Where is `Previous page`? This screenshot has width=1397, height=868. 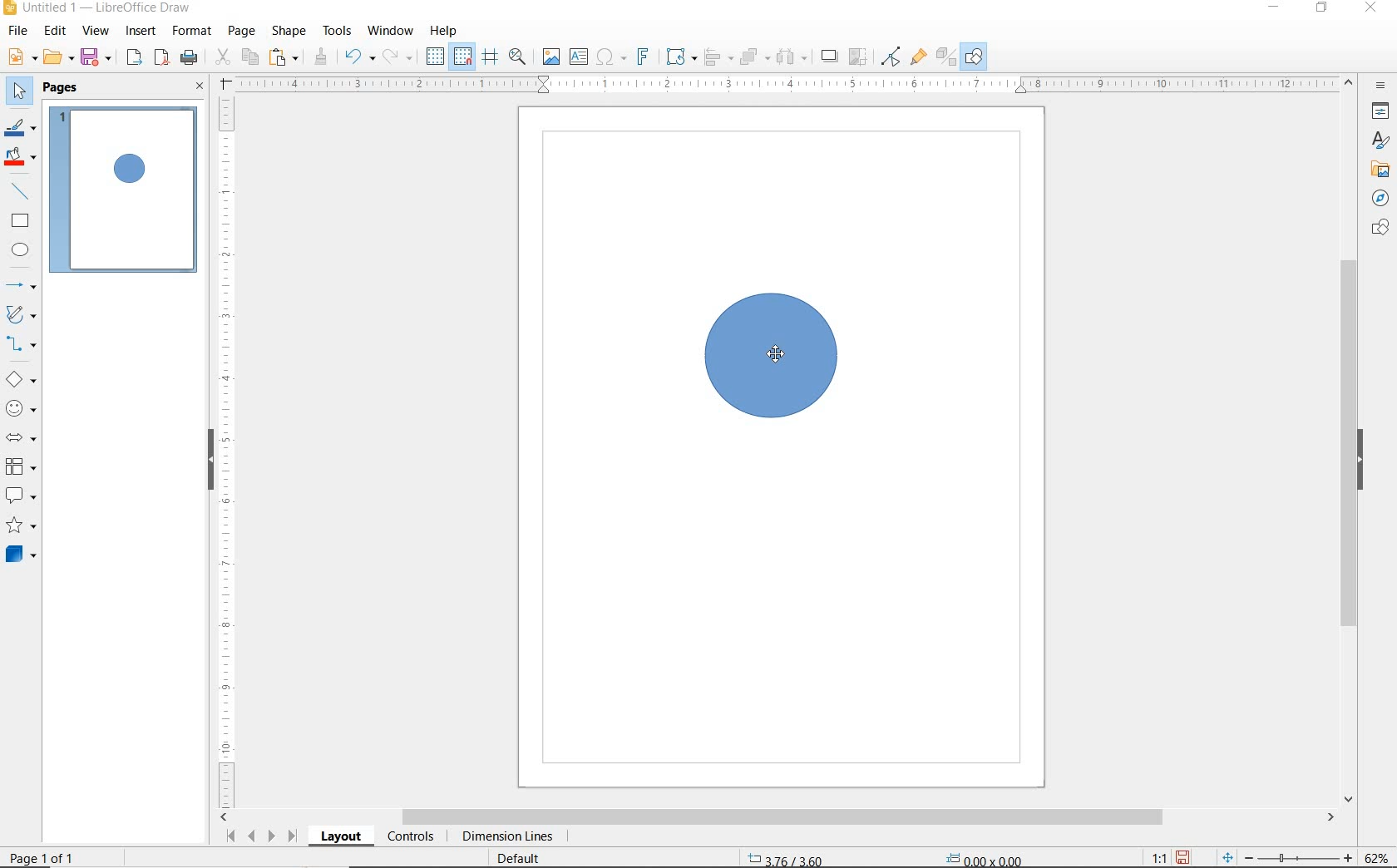 Previous page is located at coordinates (252, 837).